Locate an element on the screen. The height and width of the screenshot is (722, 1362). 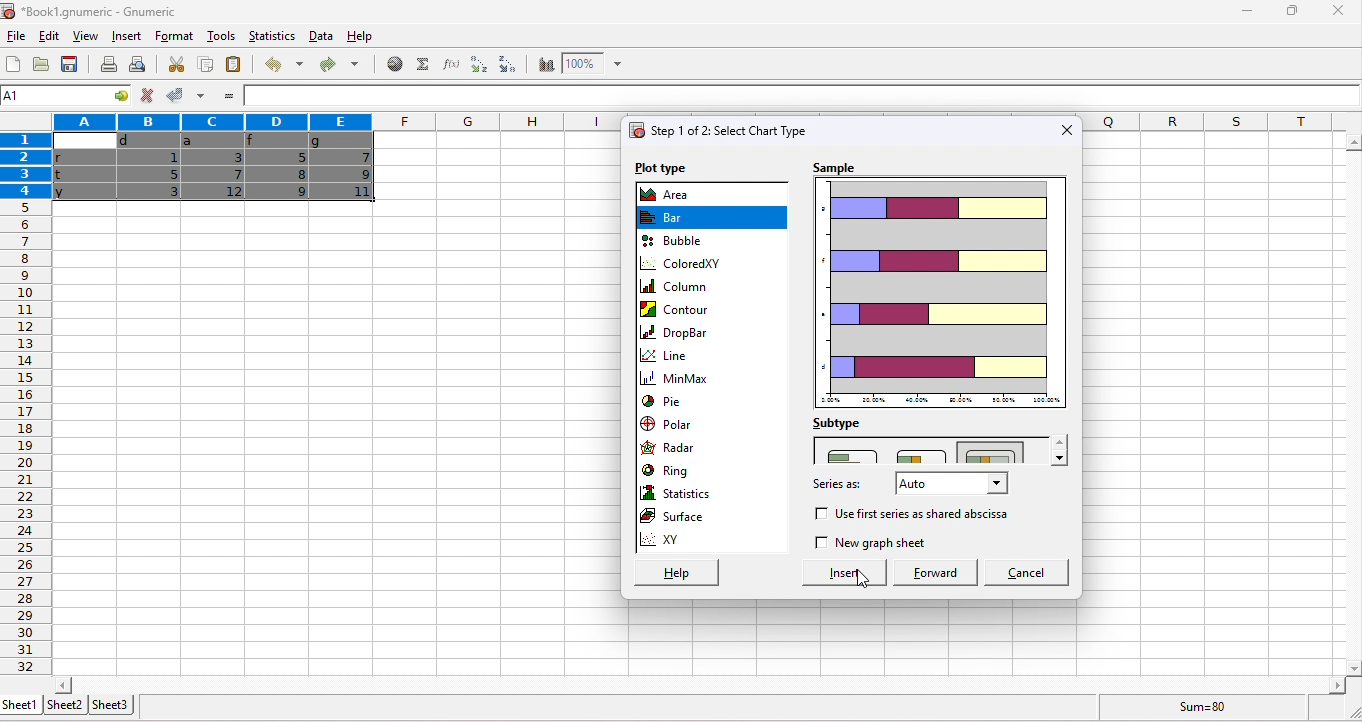
maximize is located at coordinates (1293, 13).